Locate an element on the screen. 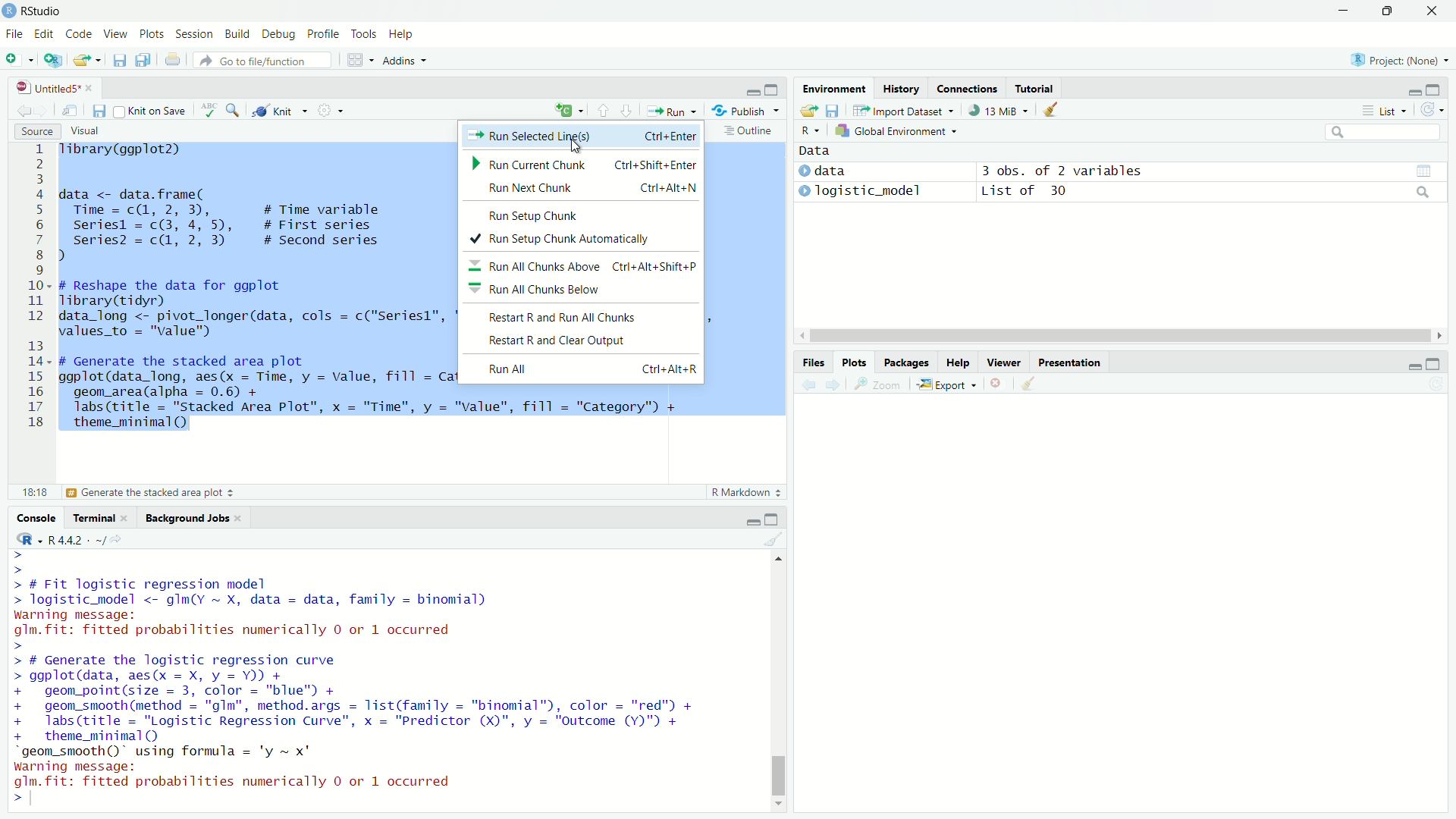 The width and height of the screenshot is (1456, 819). 13 MiB + is located at coordinates (1005, 112).